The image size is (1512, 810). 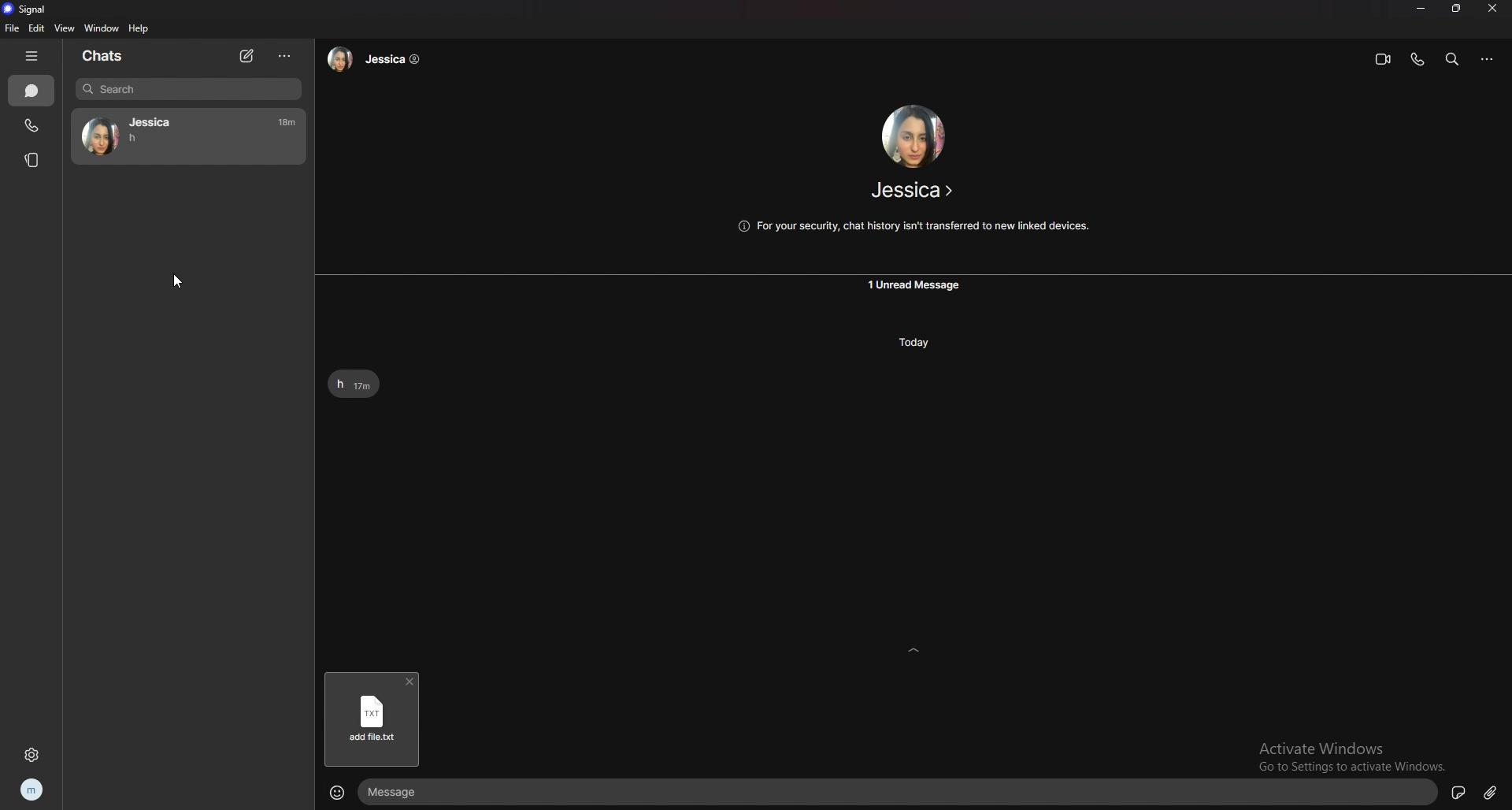 I want to click on call, so click(x=32, y=124).